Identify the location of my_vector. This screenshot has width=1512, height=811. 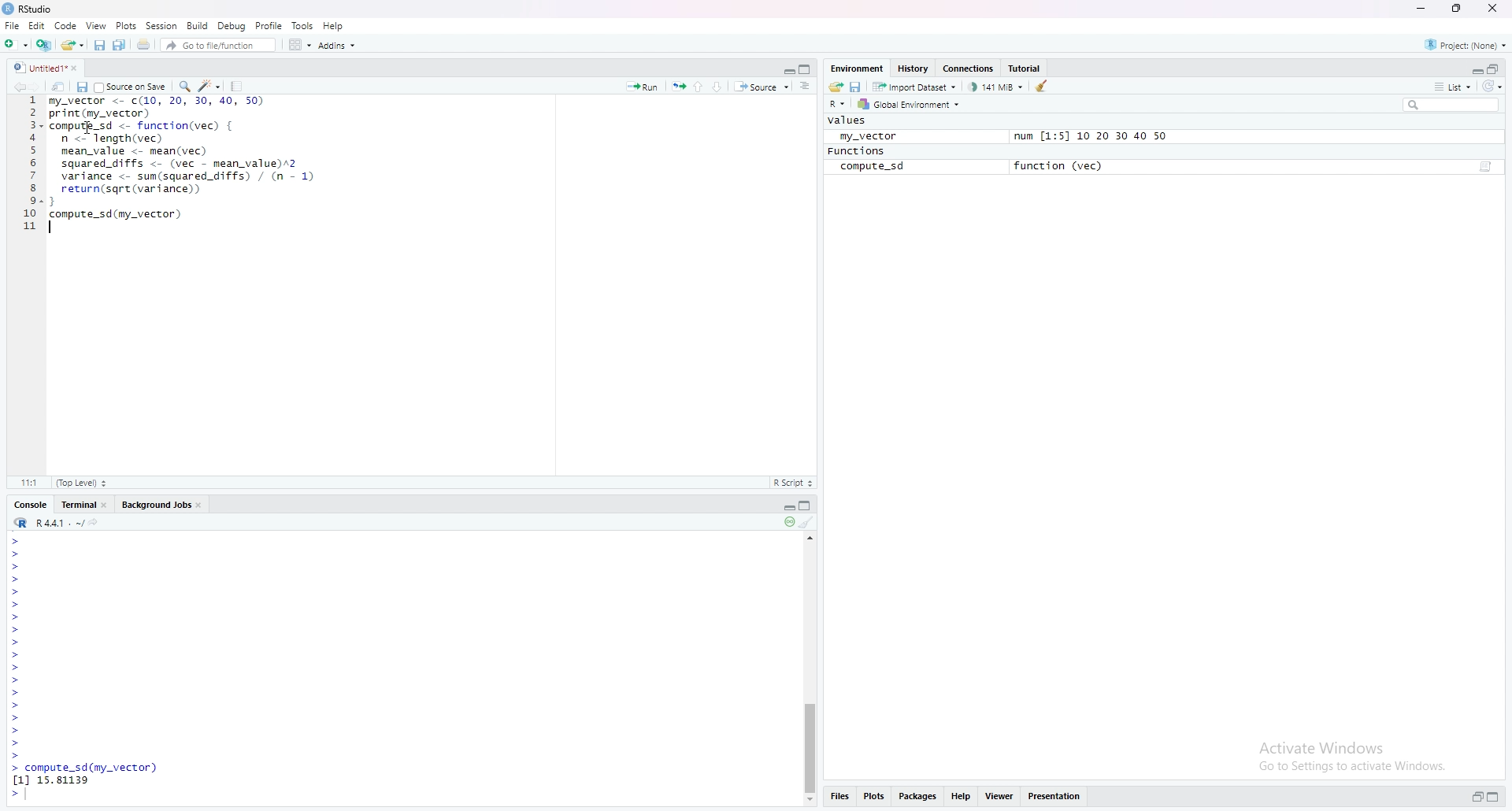
(865, 135).